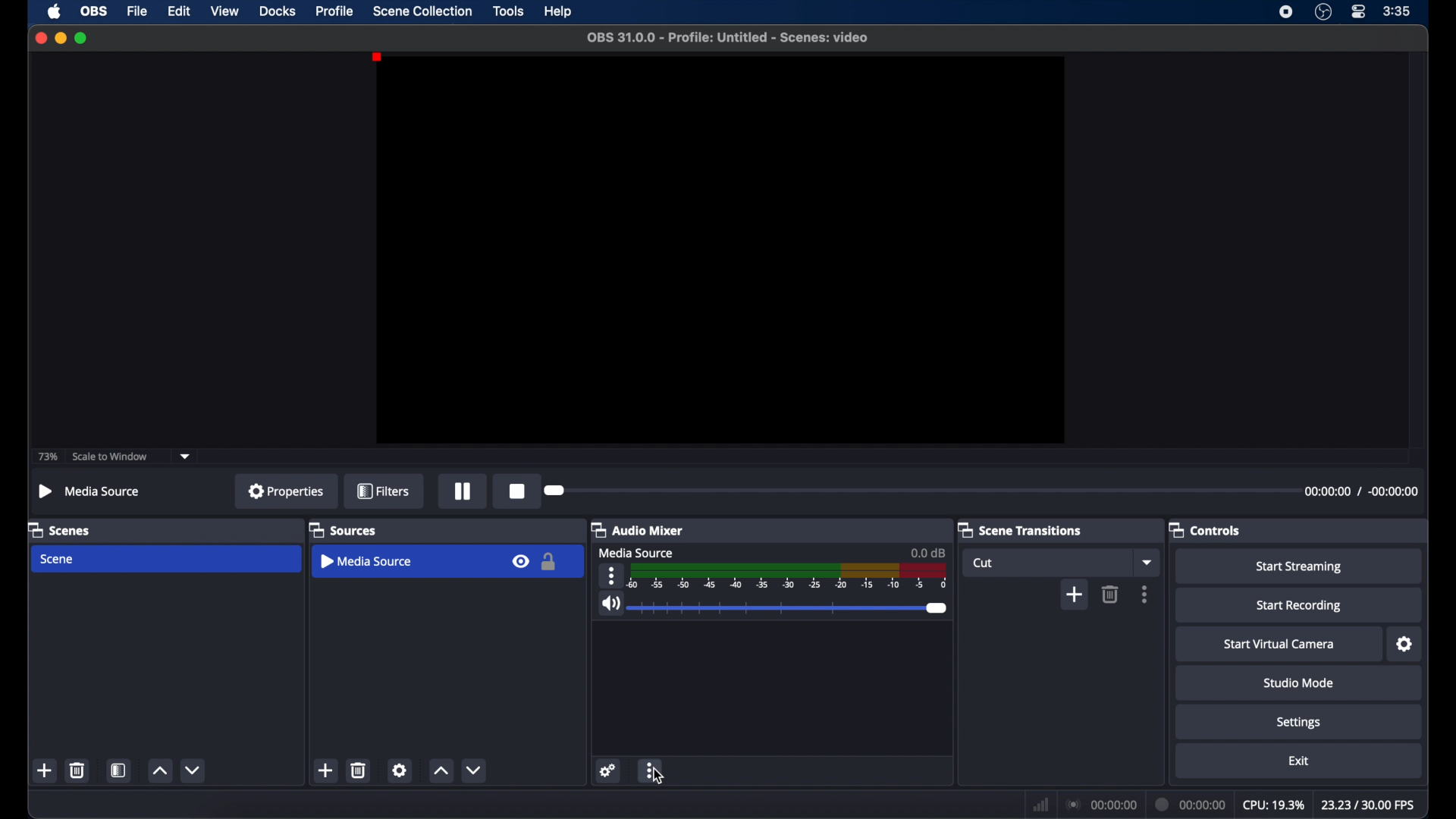 This screenshot has width=1456, height=819. I want to click on close, so click(40, 38).